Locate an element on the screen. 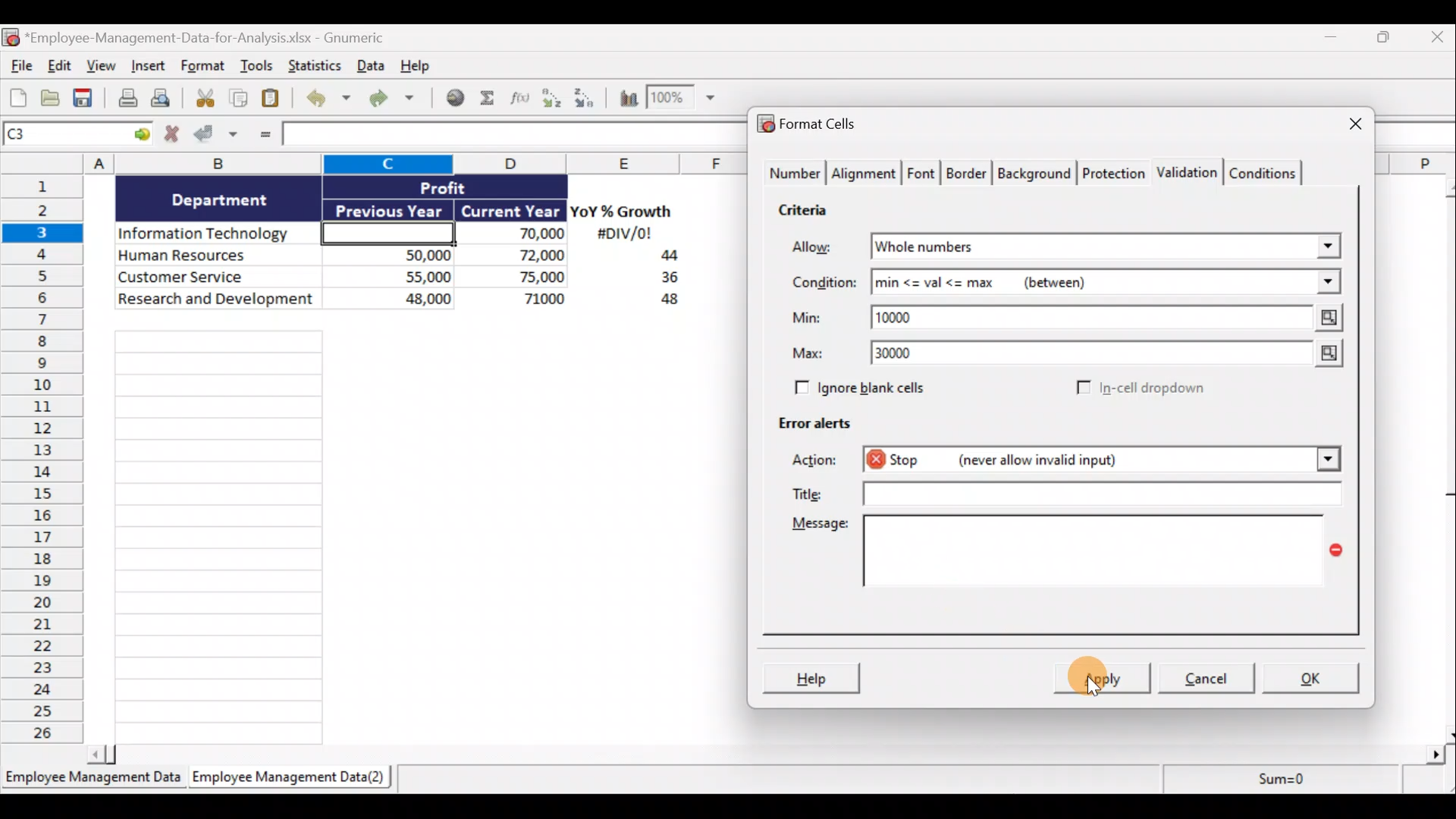 The width and height of the screenshot is (1456, 819). Close is located at coordinates (1341, 125).